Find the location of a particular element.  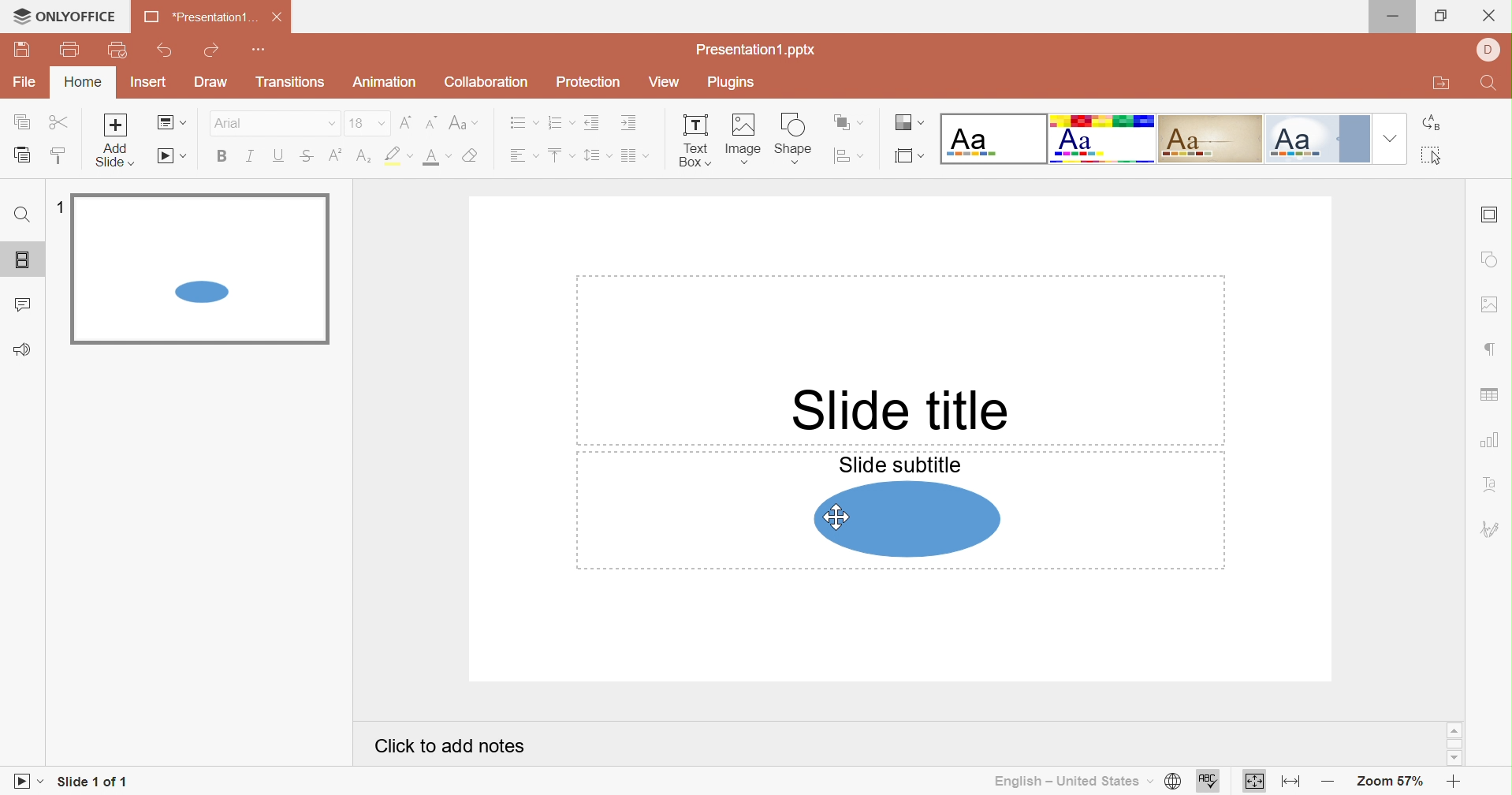

Cut is located at coordinates (58, 121).